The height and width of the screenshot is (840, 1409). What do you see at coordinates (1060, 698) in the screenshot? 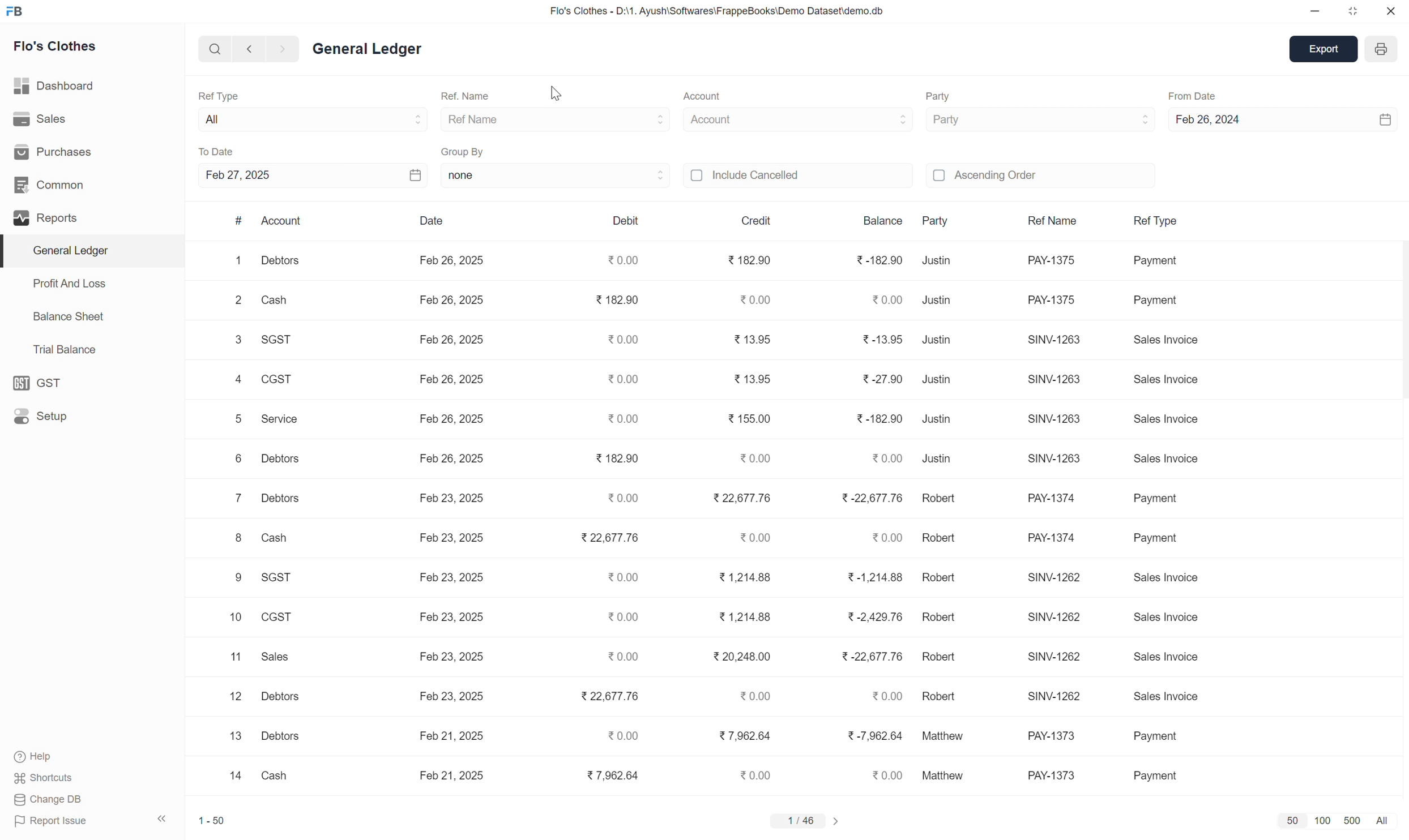
I see `SINV-1262` at bounding box center [1060, 698].